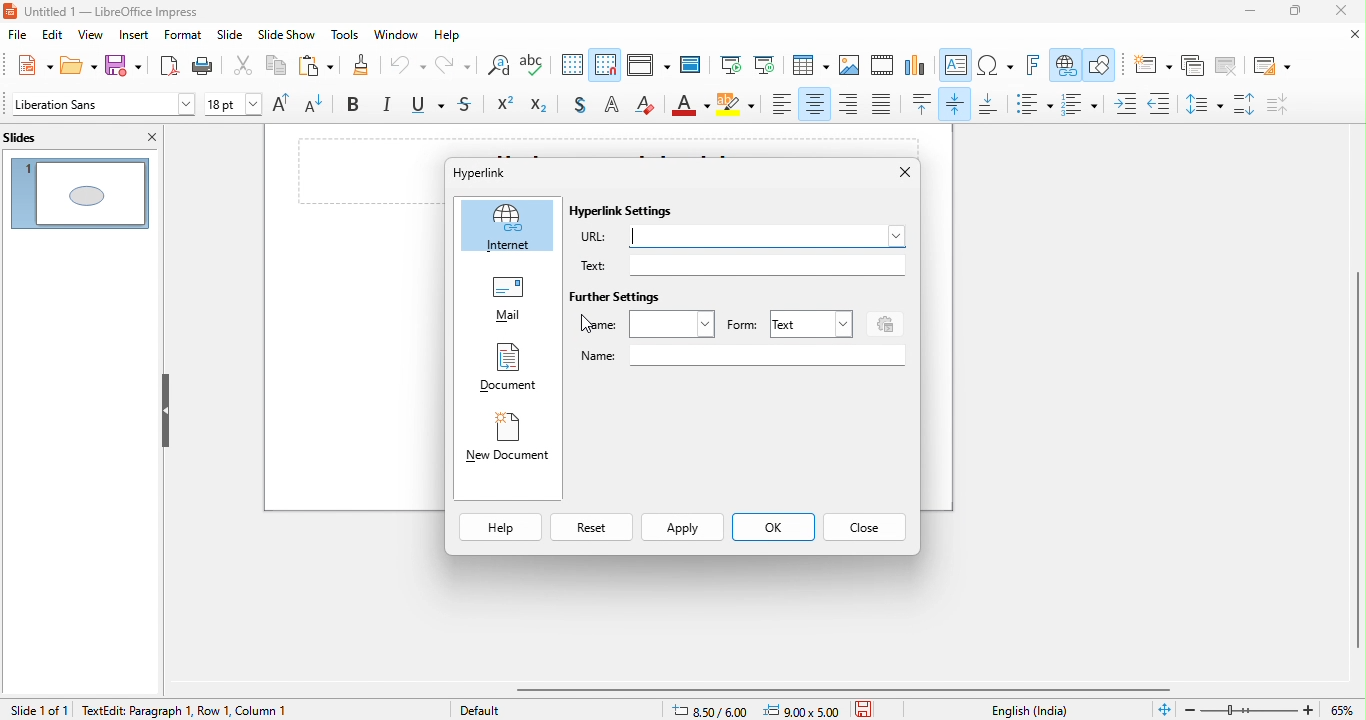  Describe the element at coordinates (1065, 66) in the screenshot. I see `hyperlink` at that location.